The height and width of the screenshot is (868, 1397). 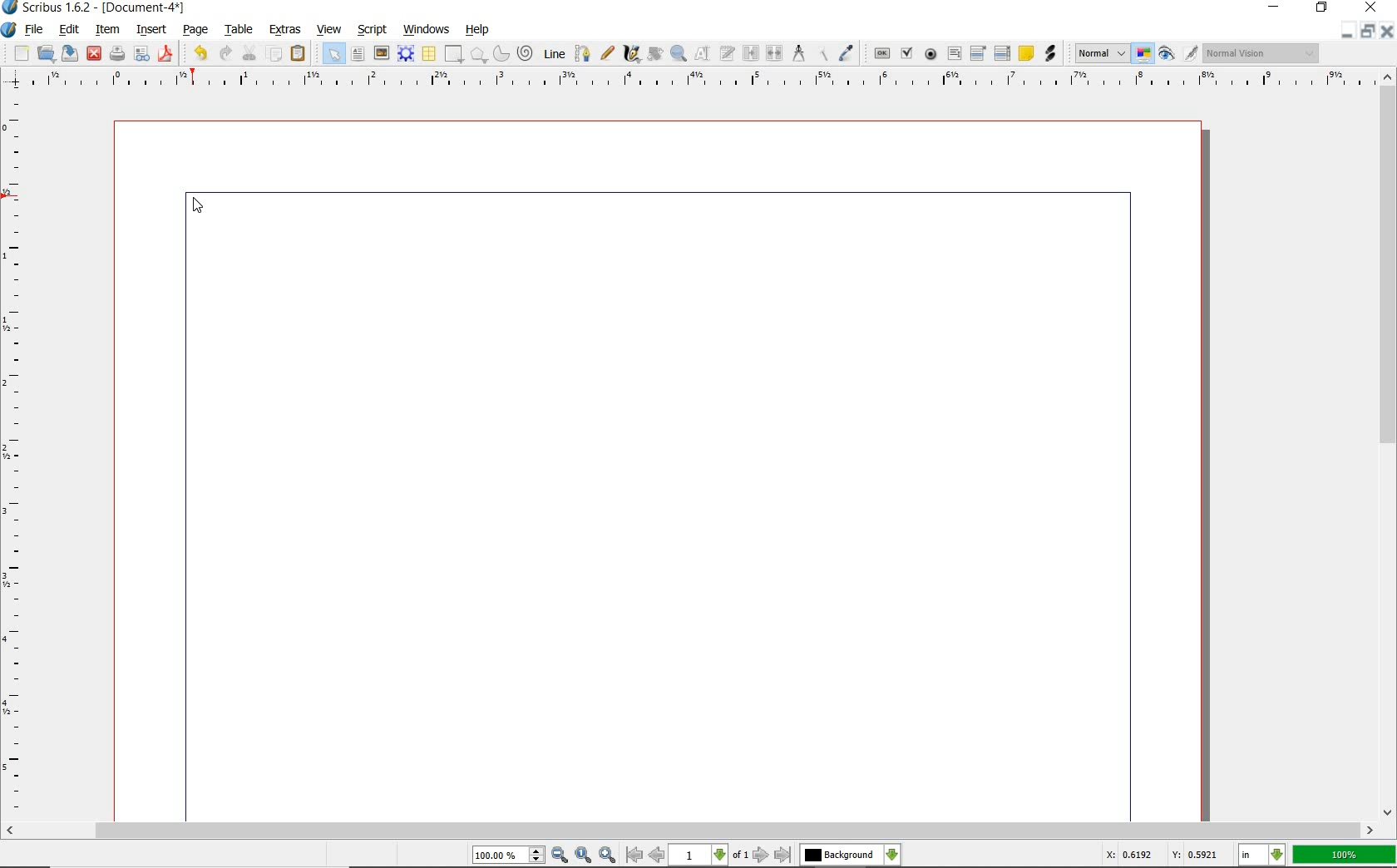 I want to click on text frame, so click(x=358, y=56).